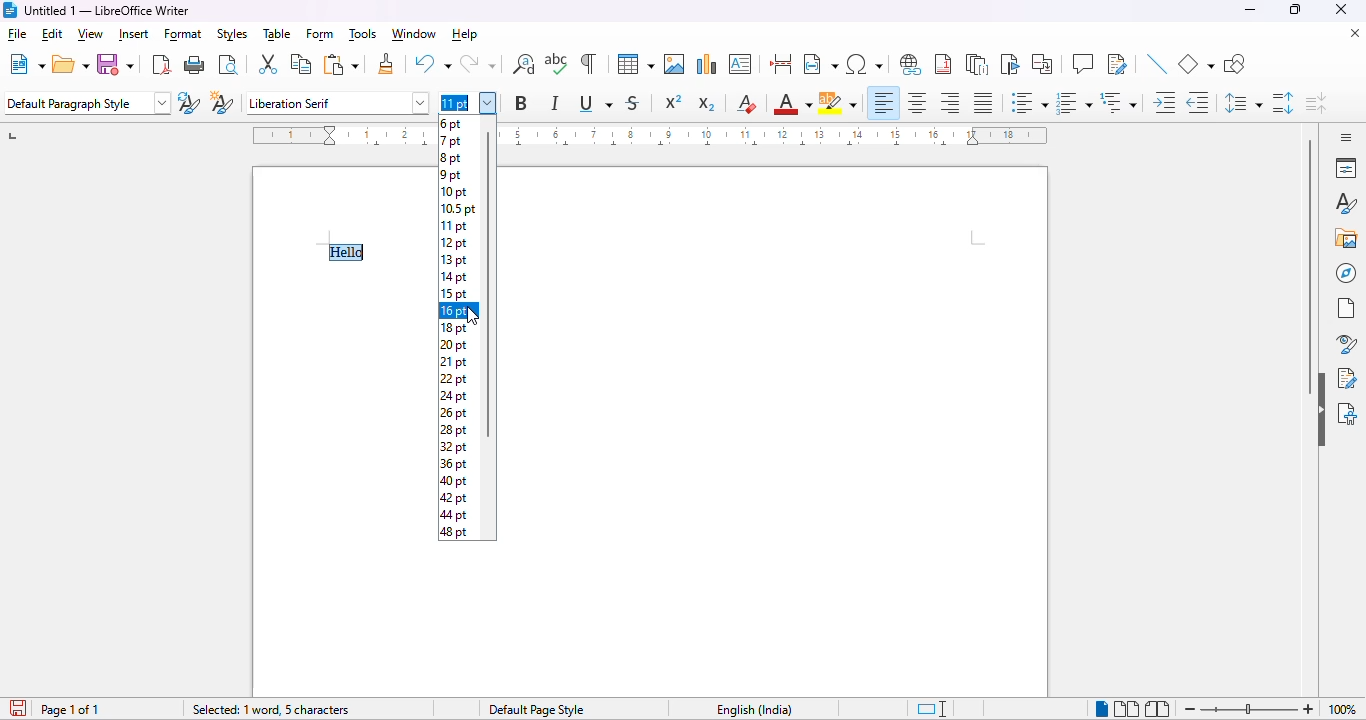  I want to click on 22 pt, so click(454, 380).